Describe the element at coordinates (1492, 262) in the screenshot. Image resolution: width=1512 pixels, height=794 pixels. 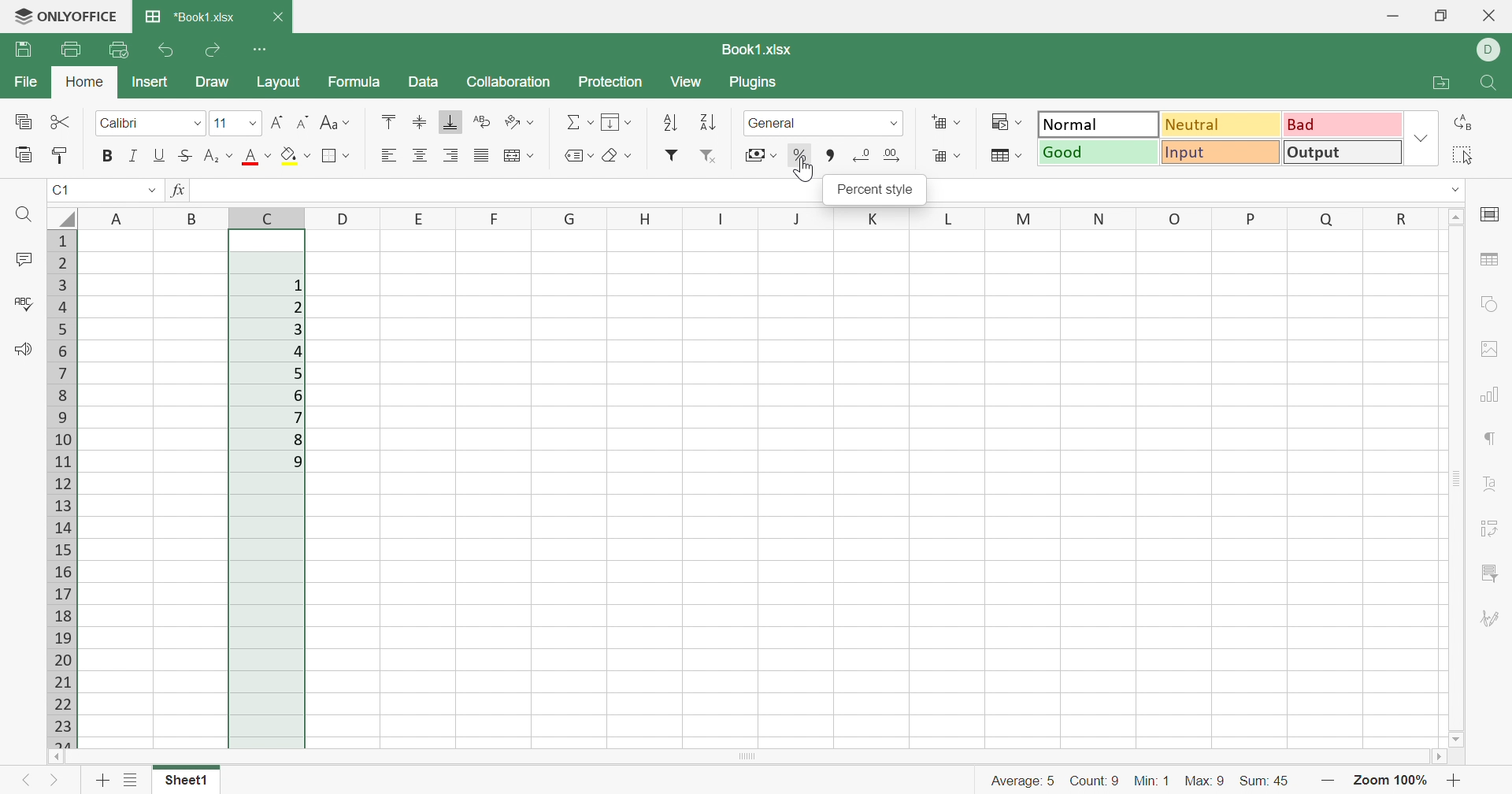
I see `Table settings` at that location.